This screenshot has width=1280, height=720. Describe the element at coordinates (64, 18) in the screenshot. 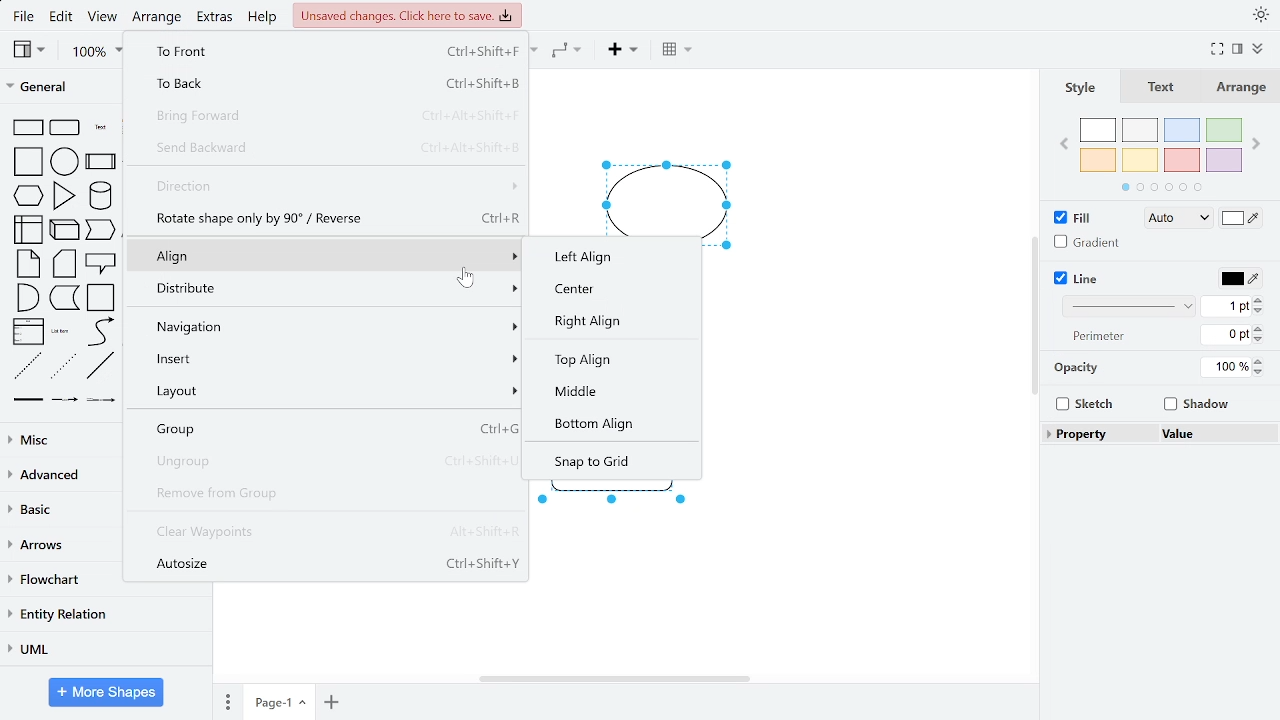

I see `edit` at that location.